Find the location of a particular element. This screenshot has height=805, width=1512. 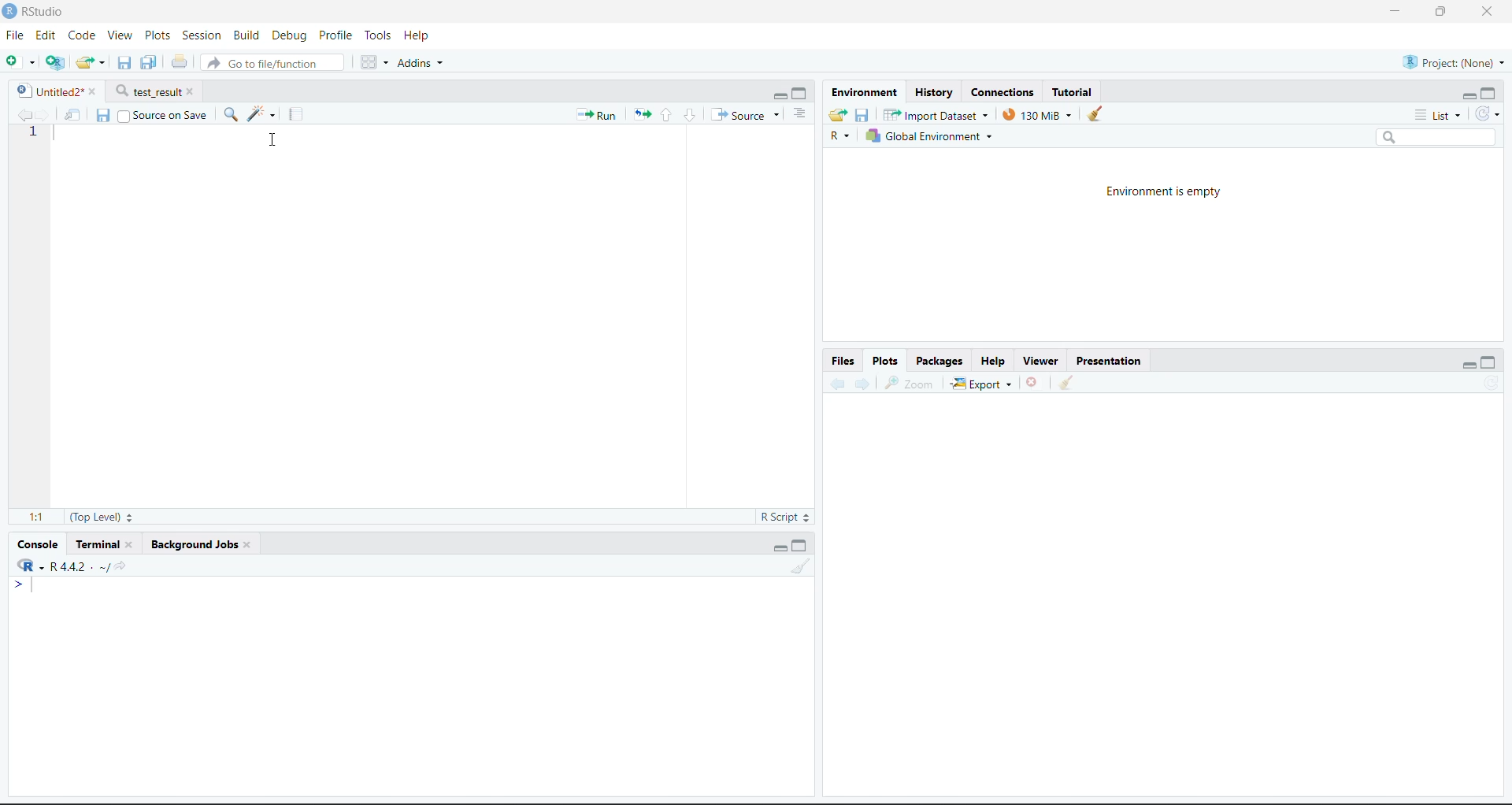

Debug is located at coordinates (289, 35).